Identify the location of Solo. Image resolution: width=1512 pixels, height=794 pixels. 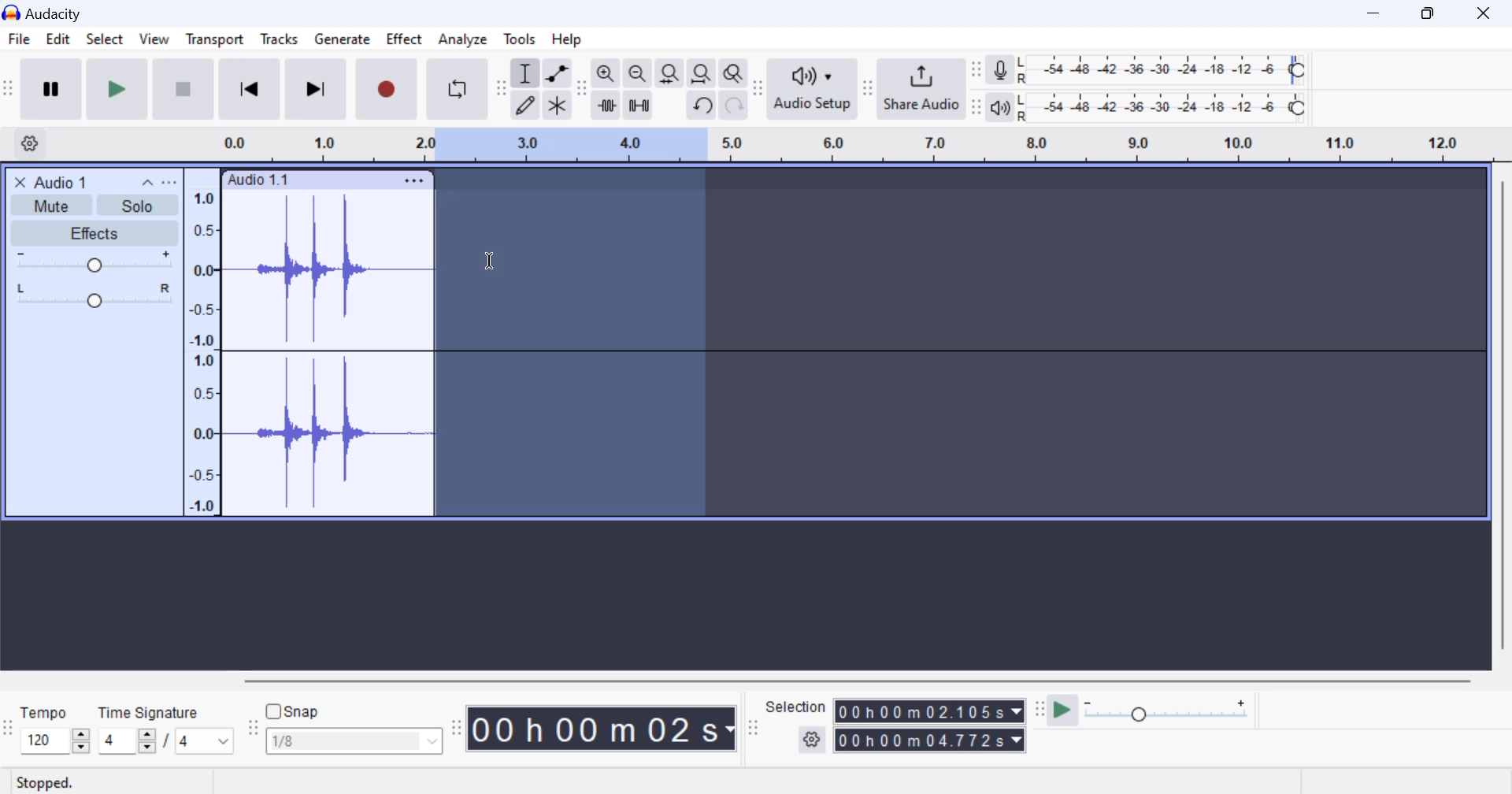
(139, 206).